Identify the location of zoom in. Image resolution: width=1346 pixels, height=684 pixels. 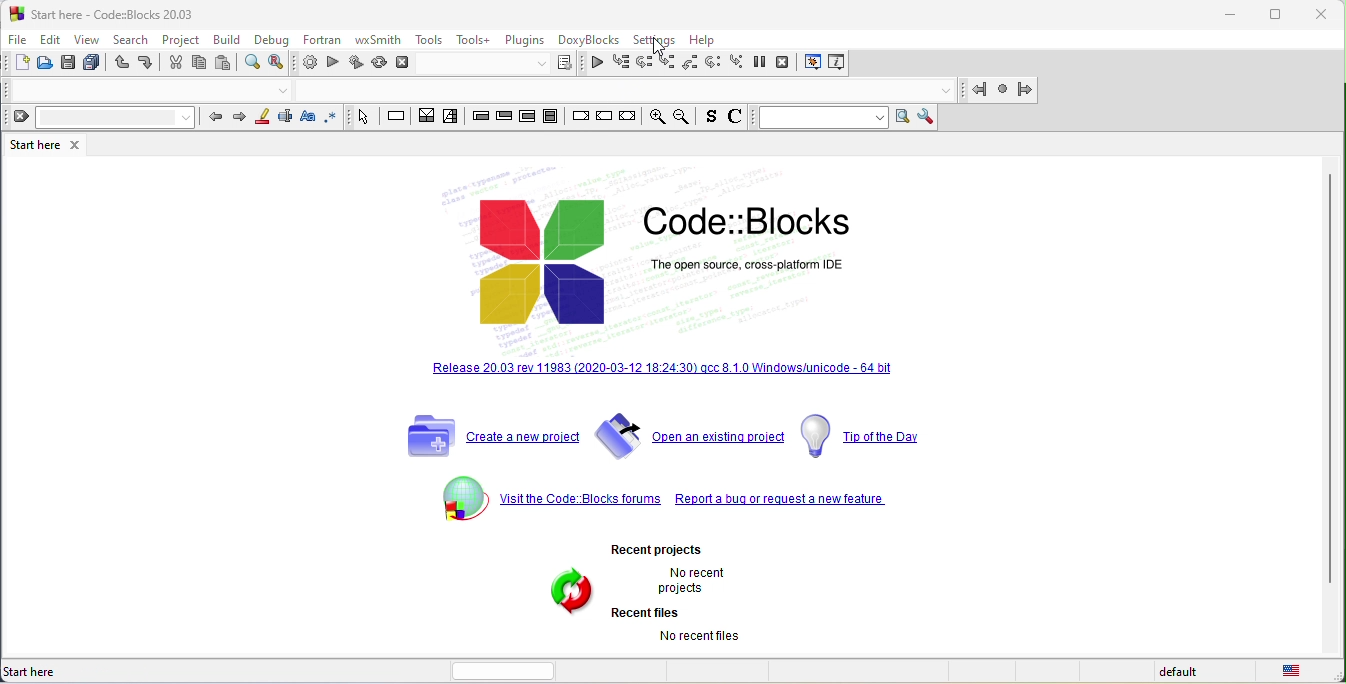
(653, 119).